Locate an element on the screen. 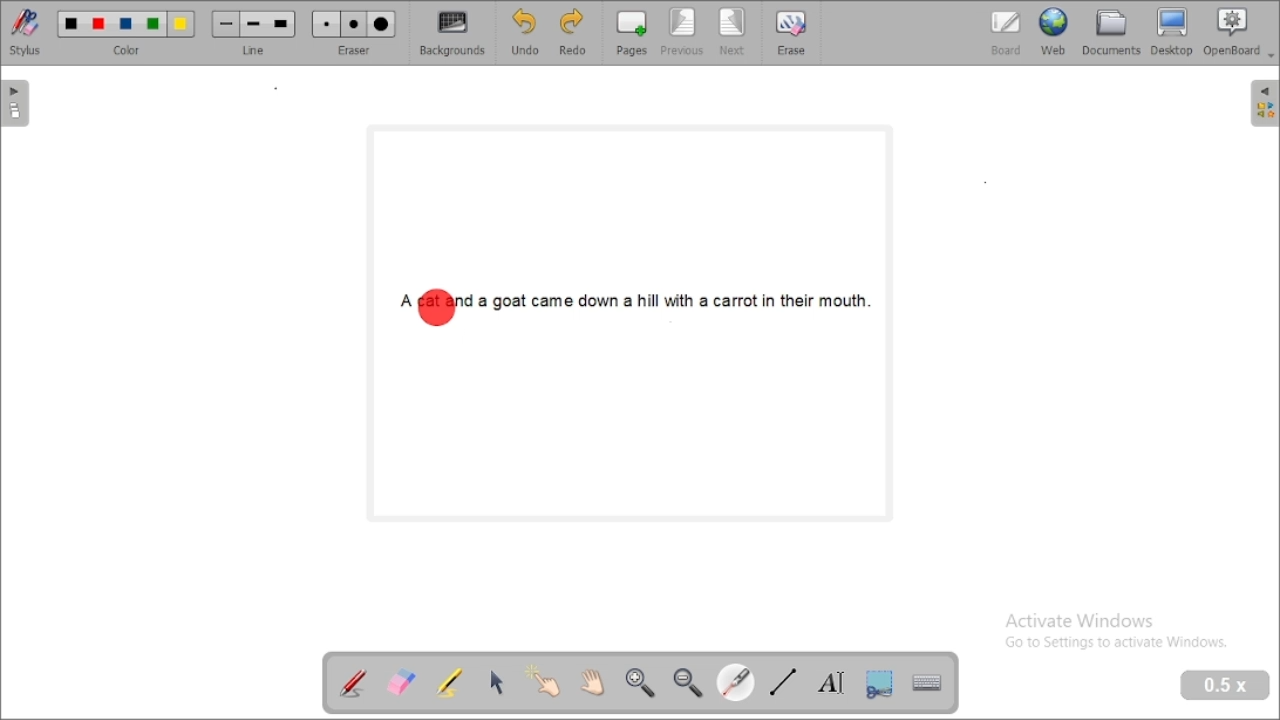 This screenshot has width=1280, height=720. previous is located at coordinates (682, 33).